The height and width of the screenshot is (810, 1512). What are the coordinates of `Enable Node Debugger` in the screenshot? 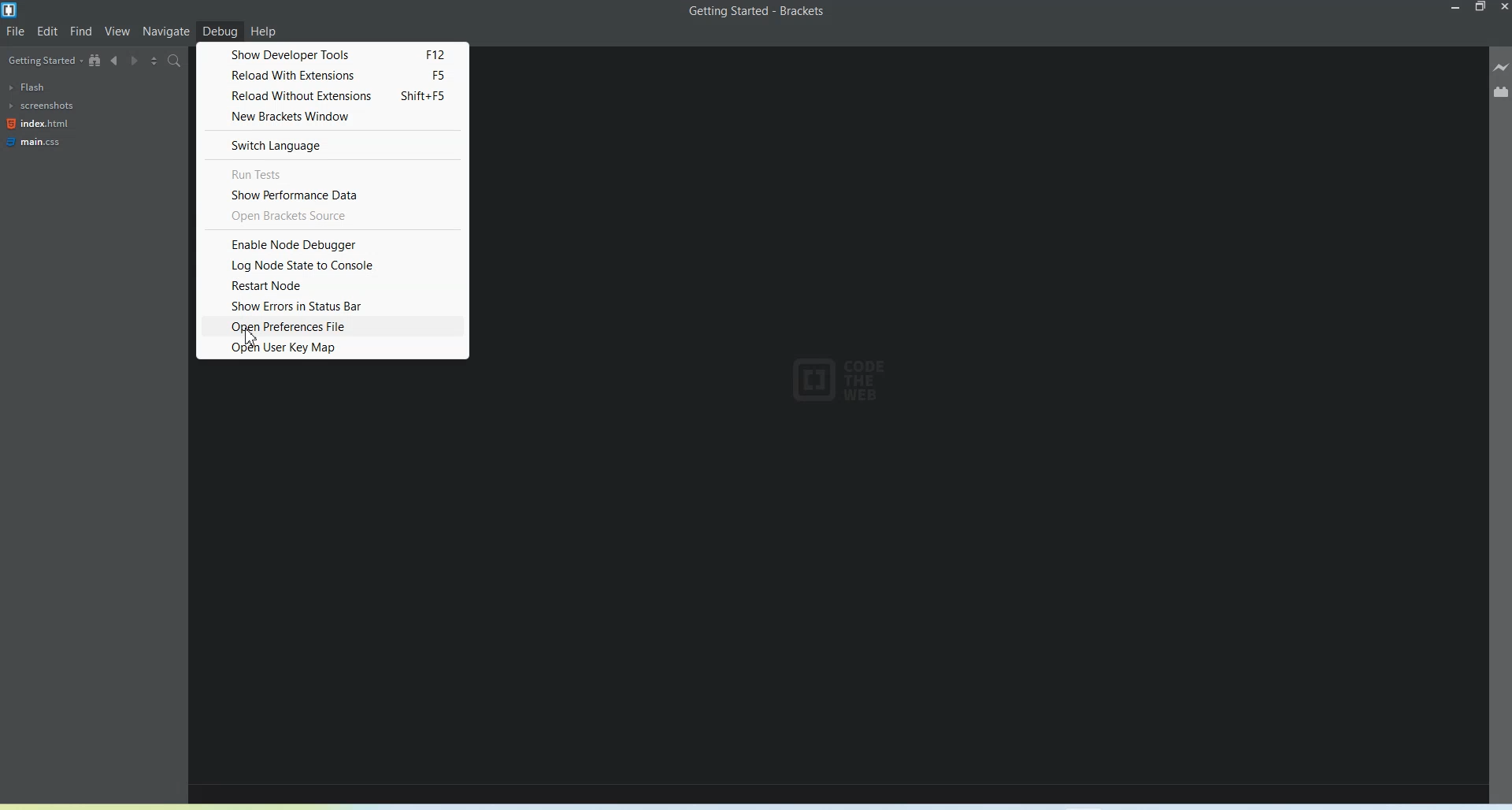 It's located at (332, 244).